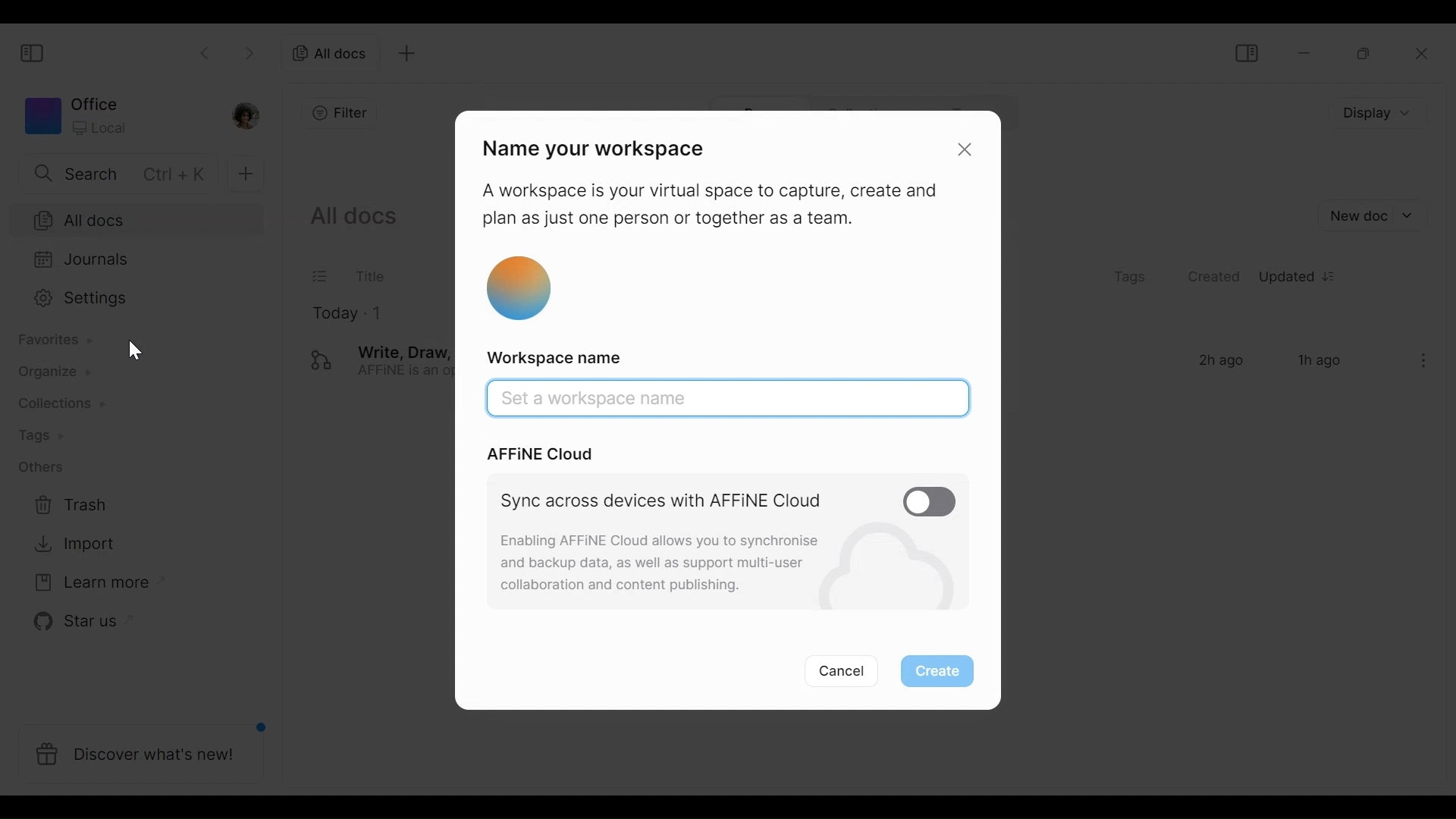  Describe the element at coordinates (1244, 51) in the screenshot. I see `Show/Hide Sidebar` at that location.